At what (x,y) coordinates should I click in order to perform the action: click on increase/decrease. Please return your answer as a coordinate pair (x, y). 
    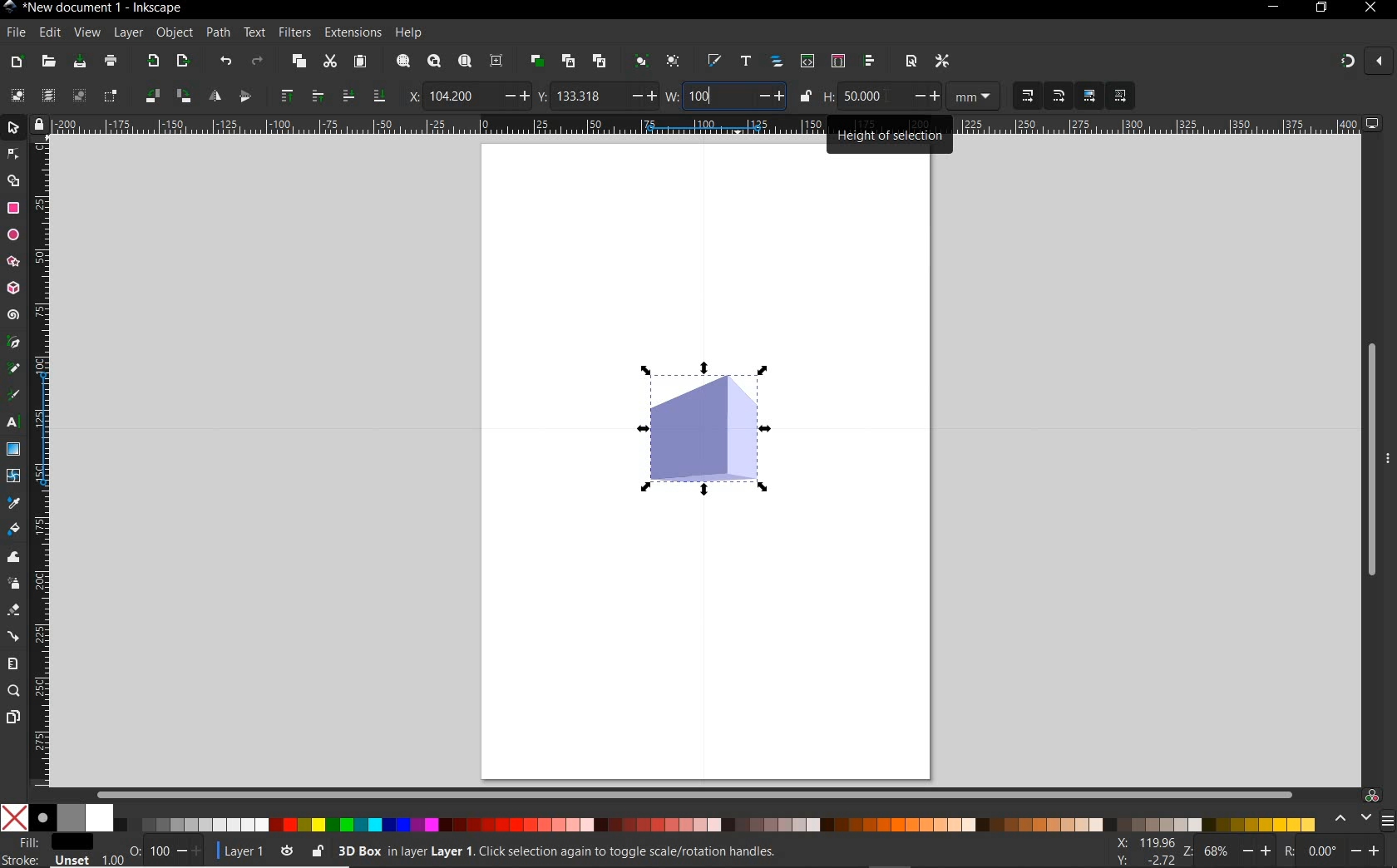
    Looking at the image, I should click on (190, 851).